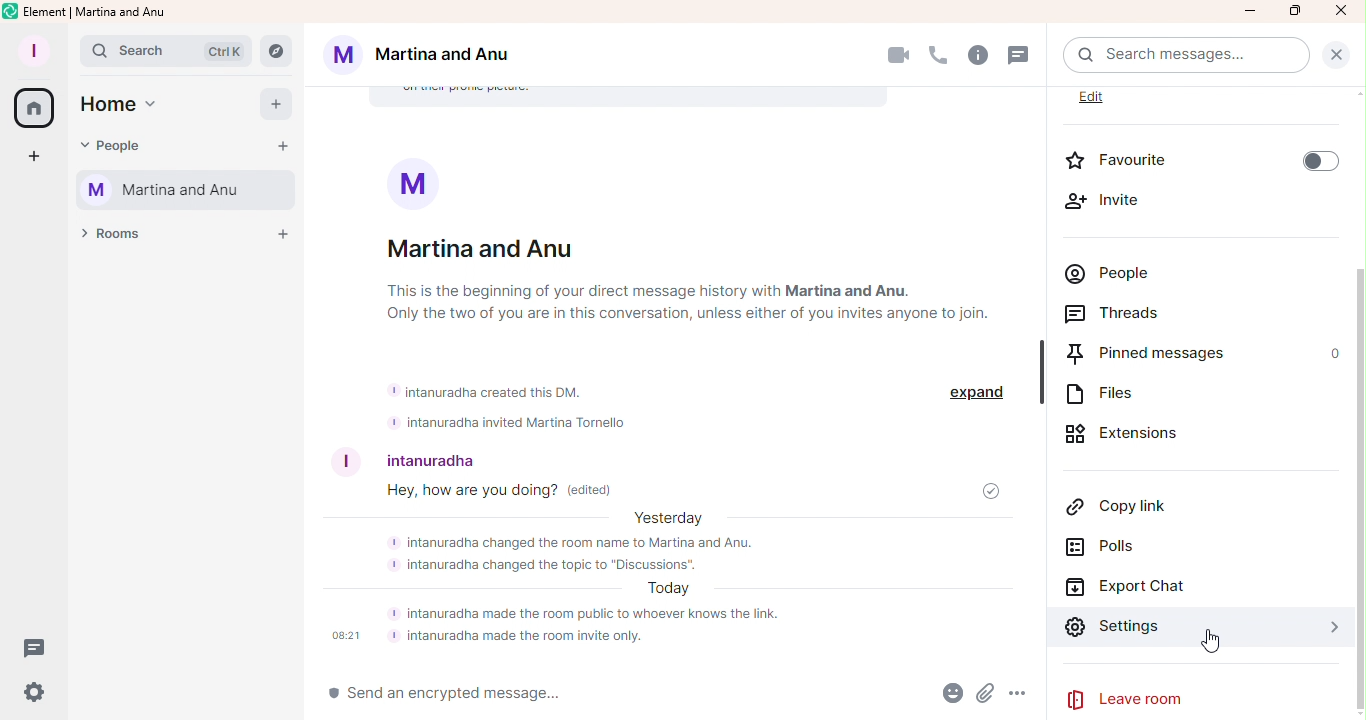 The image size is (1366, 720). What do you see at coordinates (1339, 52) in the screenshot?
I see `Close` at bounding box center [1339, 52].